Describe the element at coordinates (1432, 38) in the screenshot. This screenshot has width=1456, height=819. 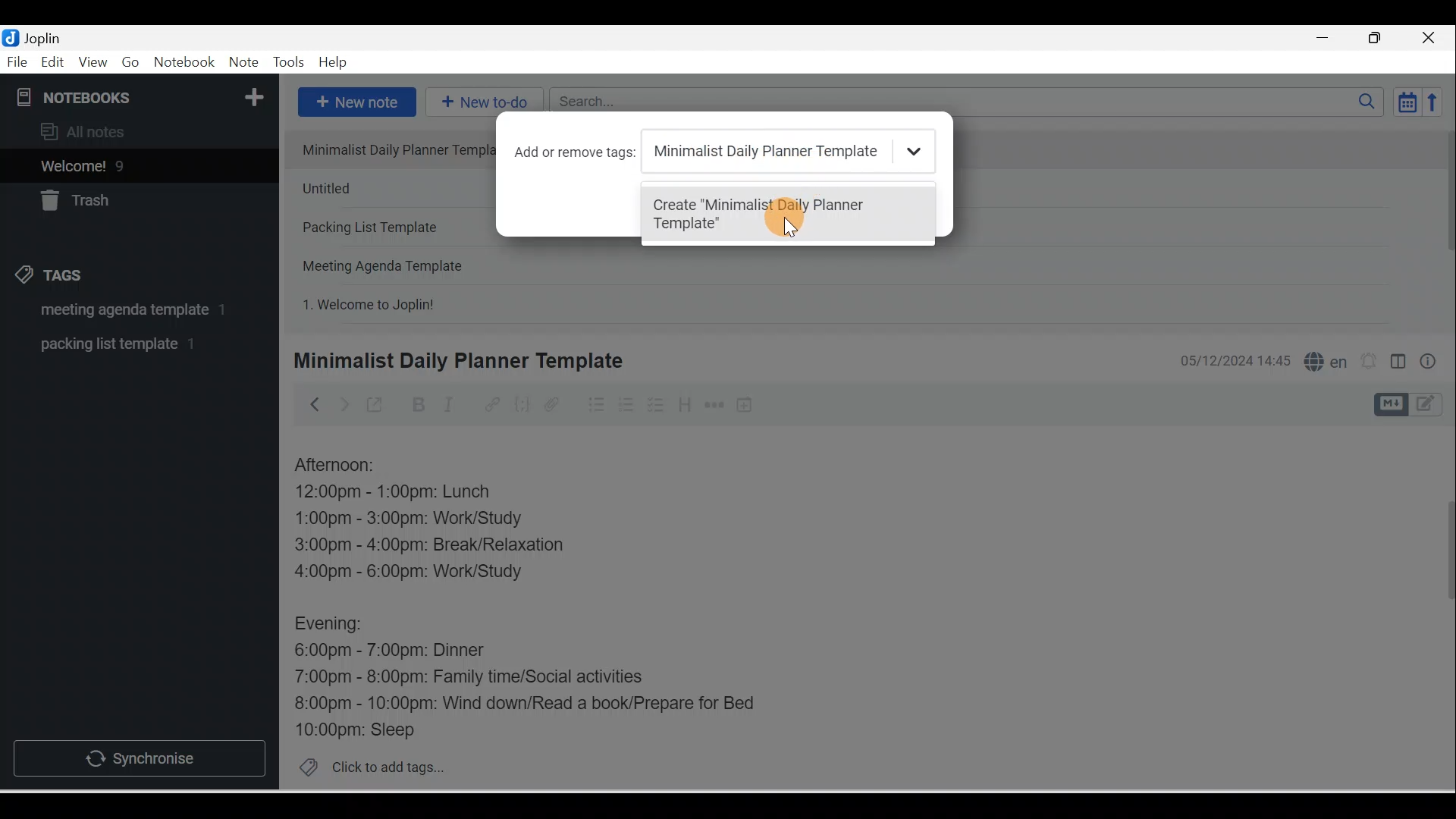
I see `Close` at that location.